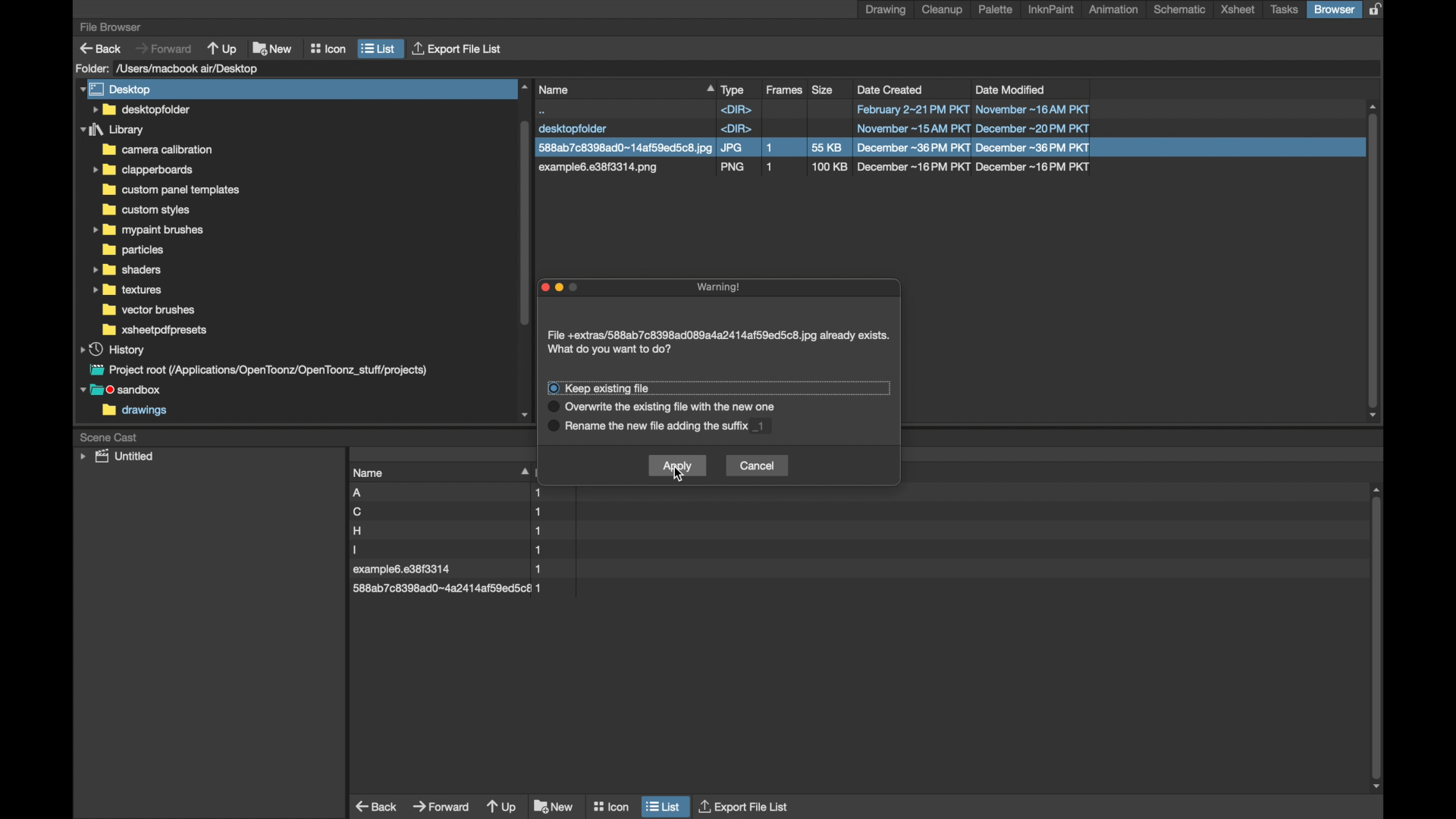 Image resolution: width=1456 pixels, height=819 pixels. Describe the element at coordinates (146, 210) in the screenshot. I see `folder` at that location.